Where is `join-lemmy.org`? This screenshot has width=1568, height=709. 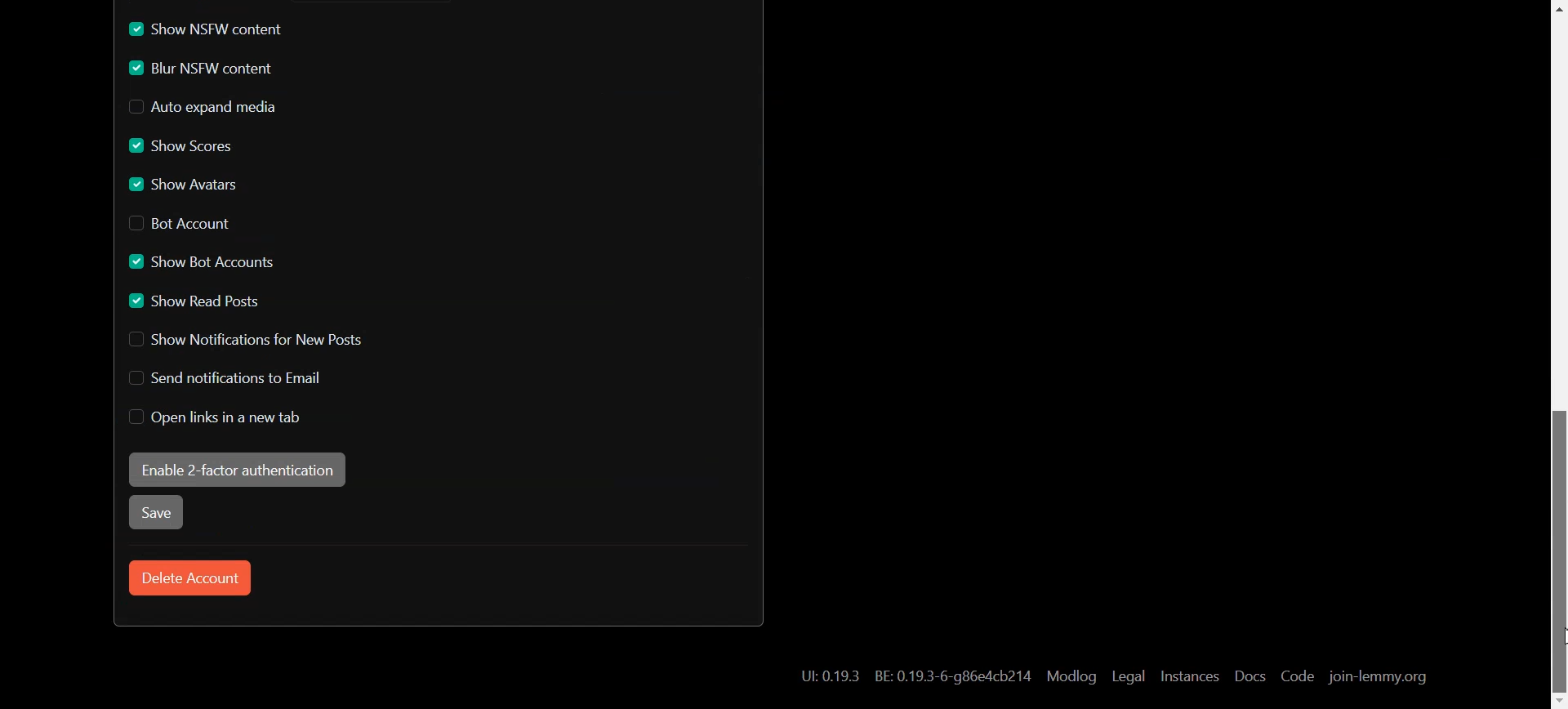 join-lemmy.org is located at coordinates (1377, 676).